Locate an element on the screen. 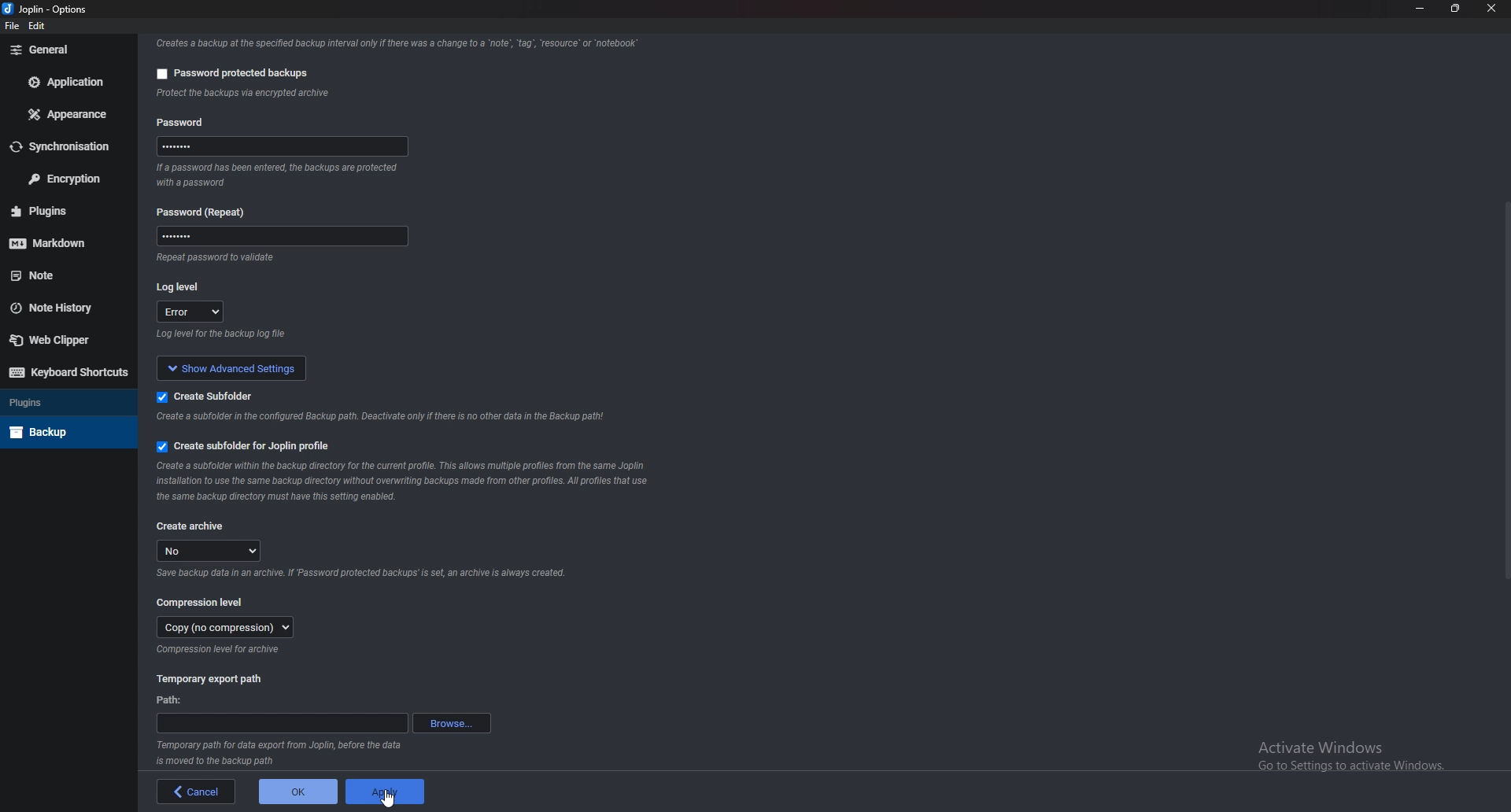 The height and width of the screenshot is (812, 1511). Temporary export path is located at coordinates (209, 679).